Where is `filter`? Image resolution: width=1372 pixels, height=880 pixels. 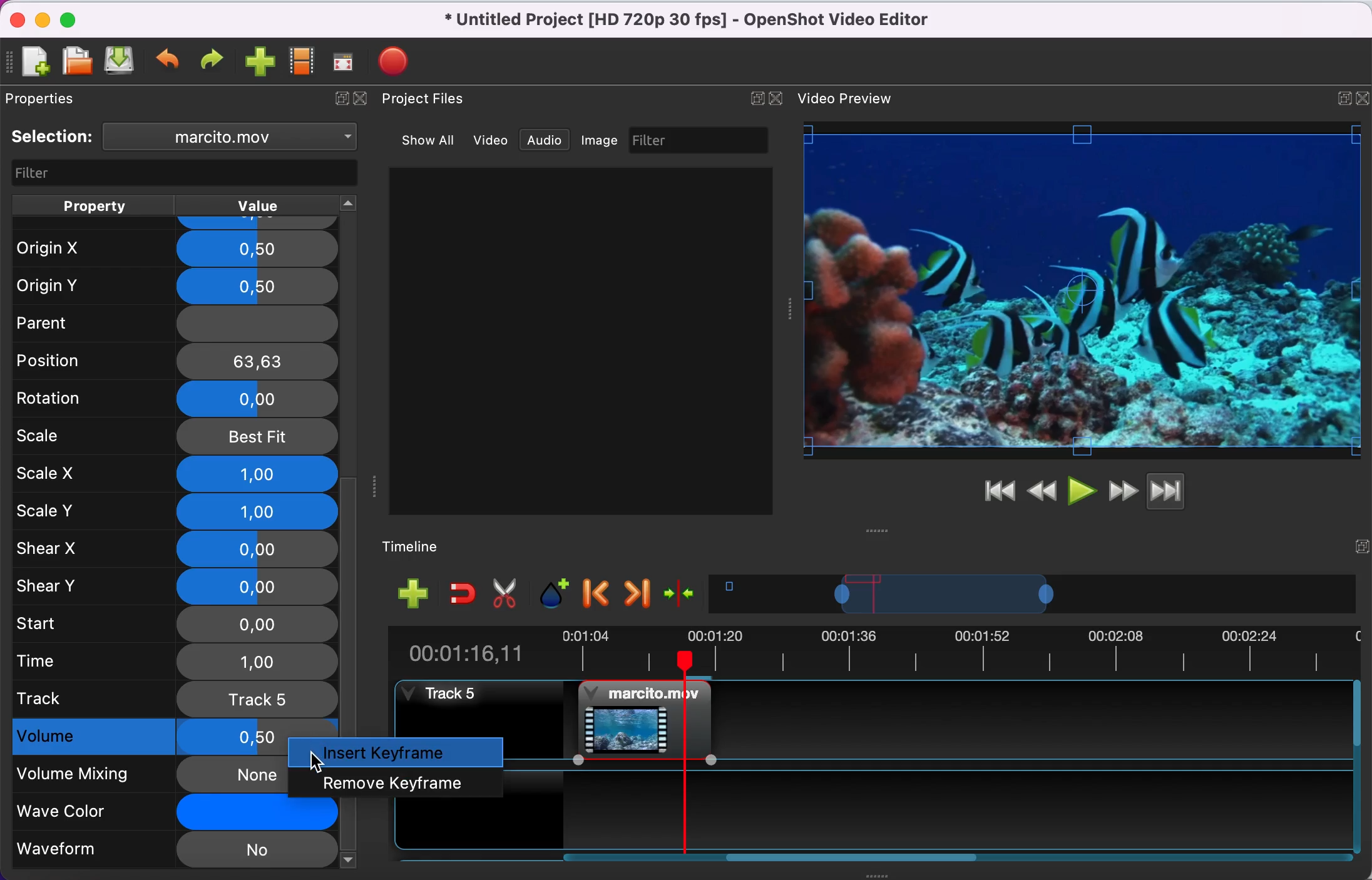
filter is located at coordinates (702, 140).